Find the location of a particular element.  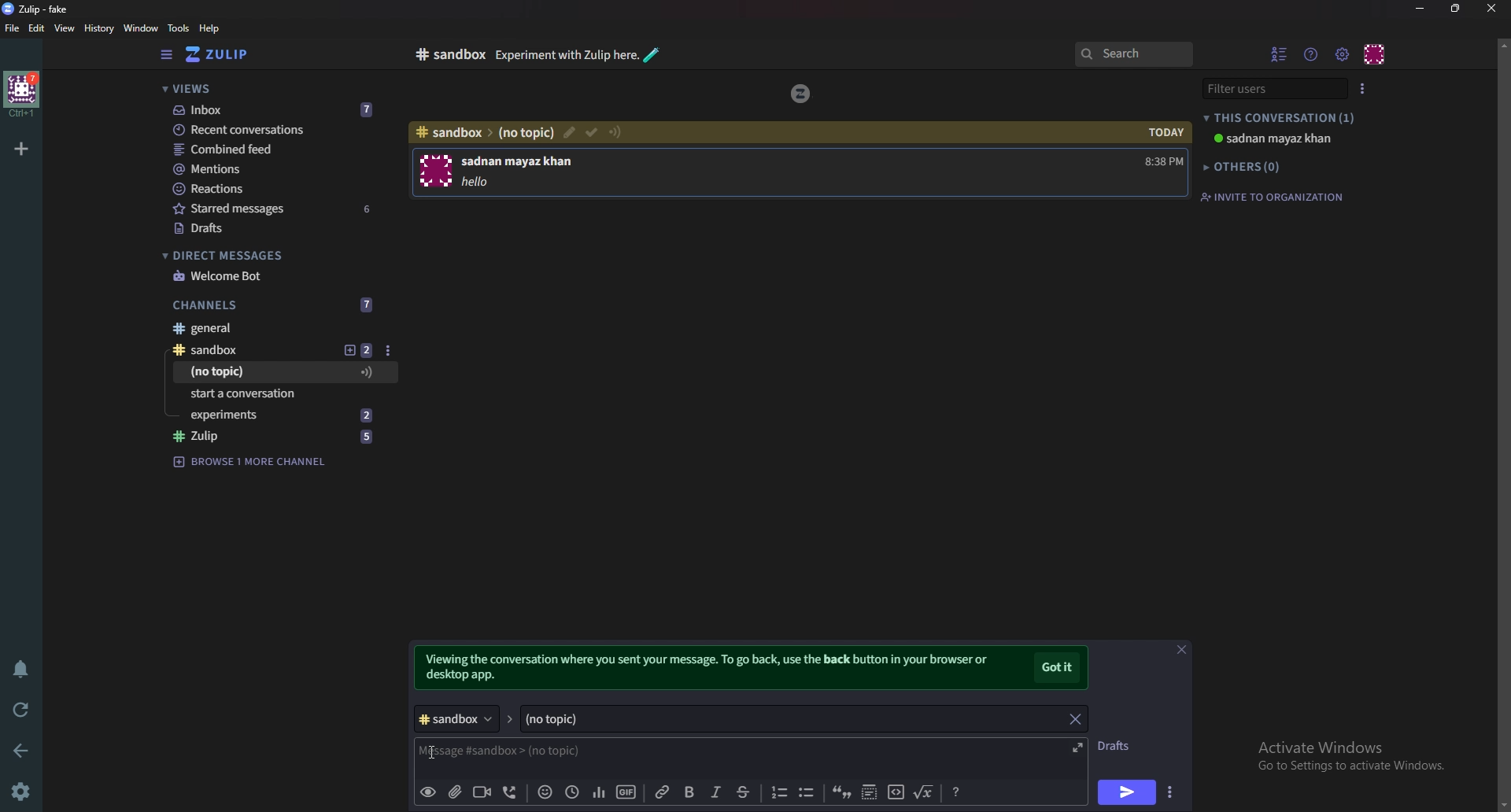

Combined feed is located at coordinates (272, 149).